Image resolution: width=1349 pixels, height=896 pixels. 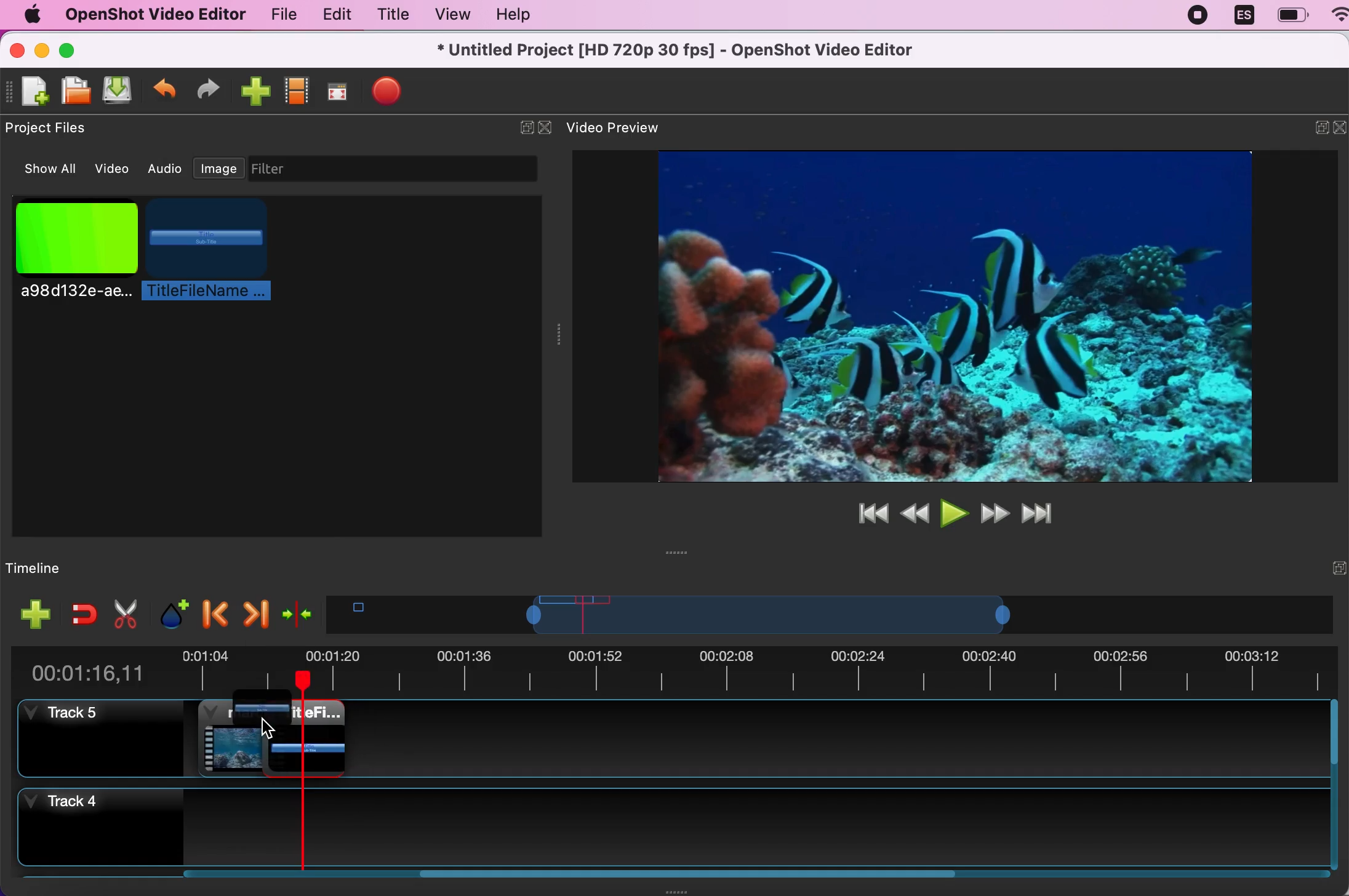 What do you see at coordinates (166, 169) in the screenshot?
I see `audio` at bounding box center [166, 169].